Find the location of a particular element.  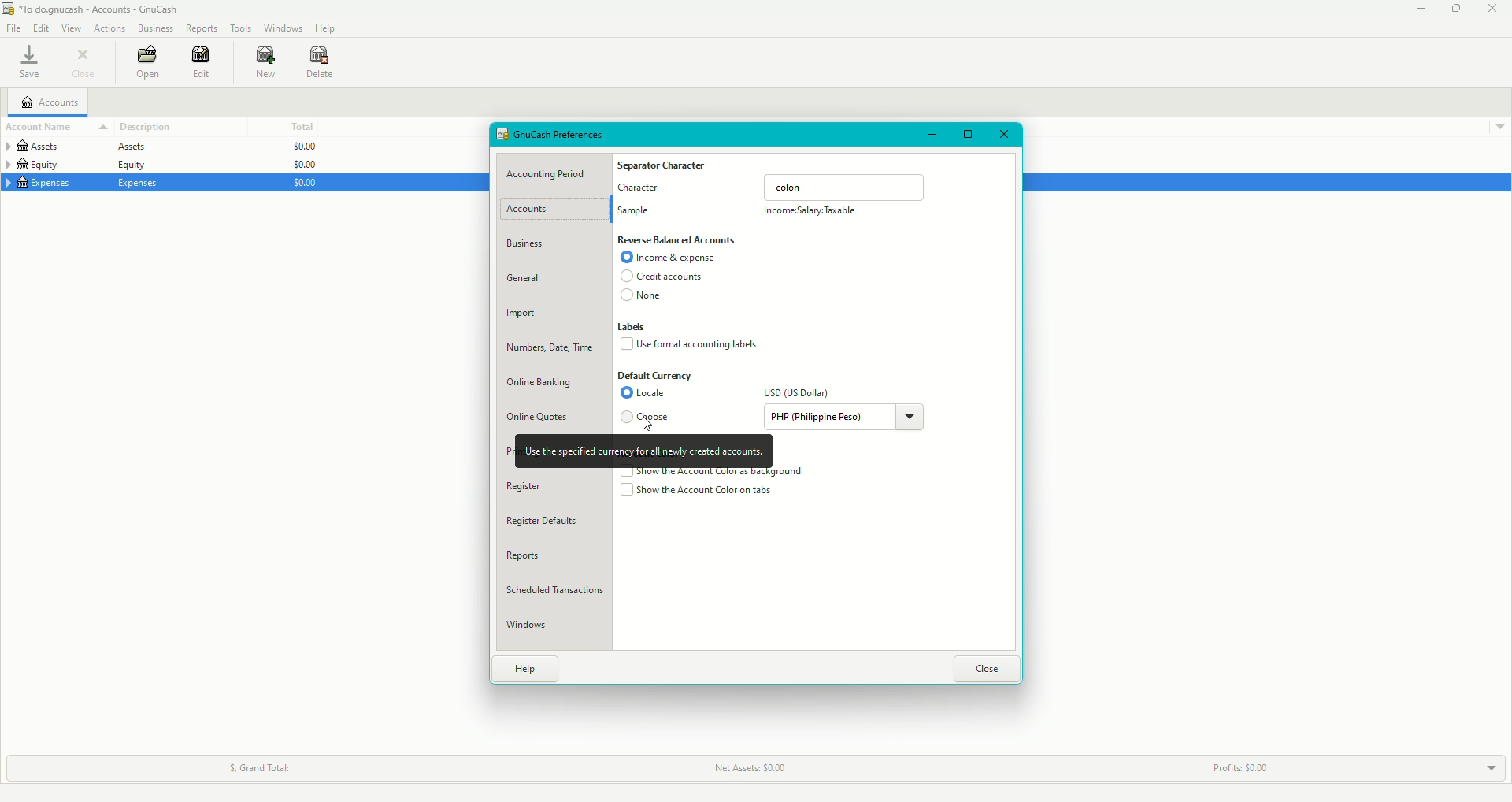

Edit is located at coordinates (203, 63).